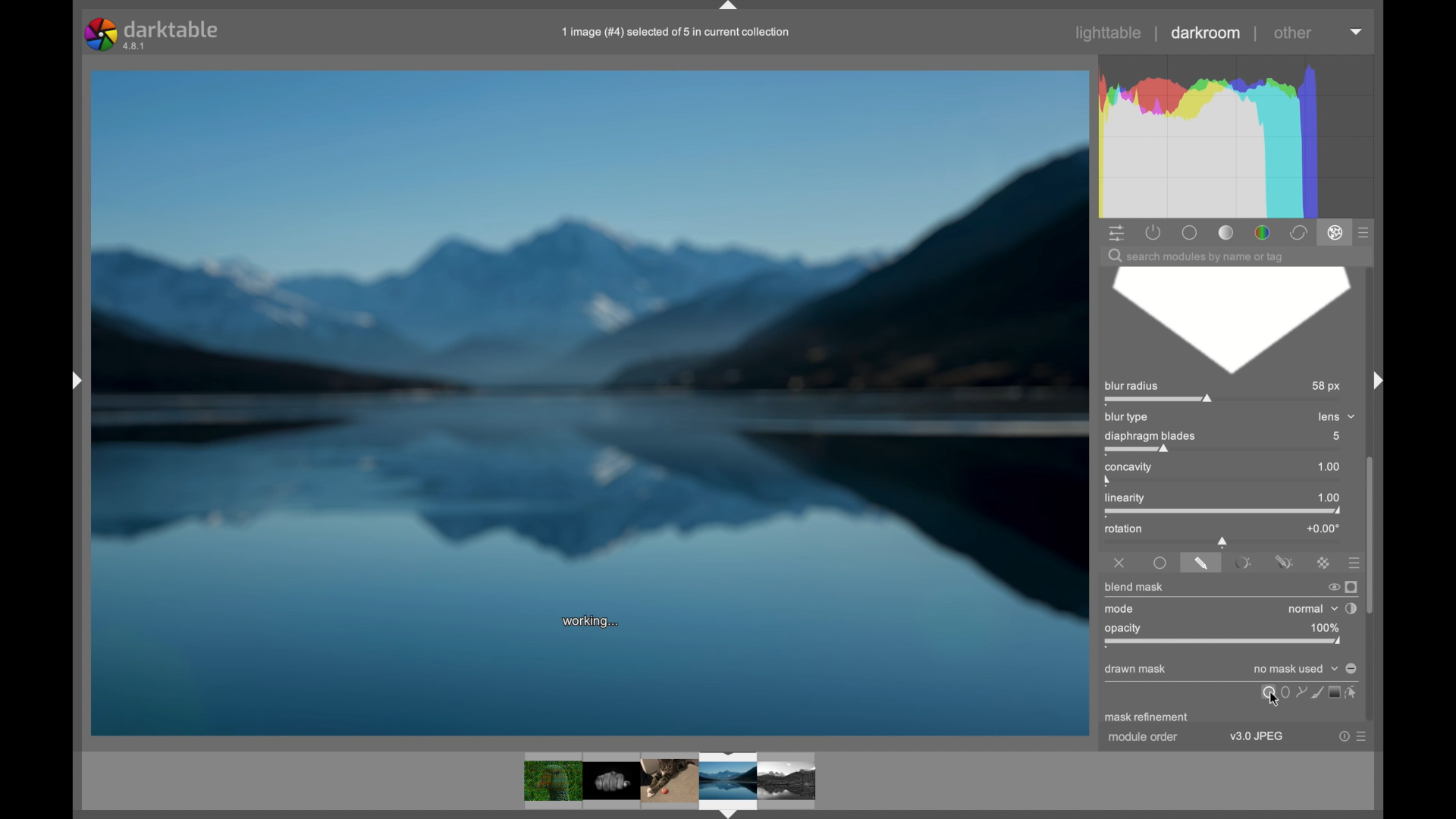 The image size is (1456, 819). Describe the element at coordinates (1330, 587) in the screenshot. I see `switch off blend mask` at that location.